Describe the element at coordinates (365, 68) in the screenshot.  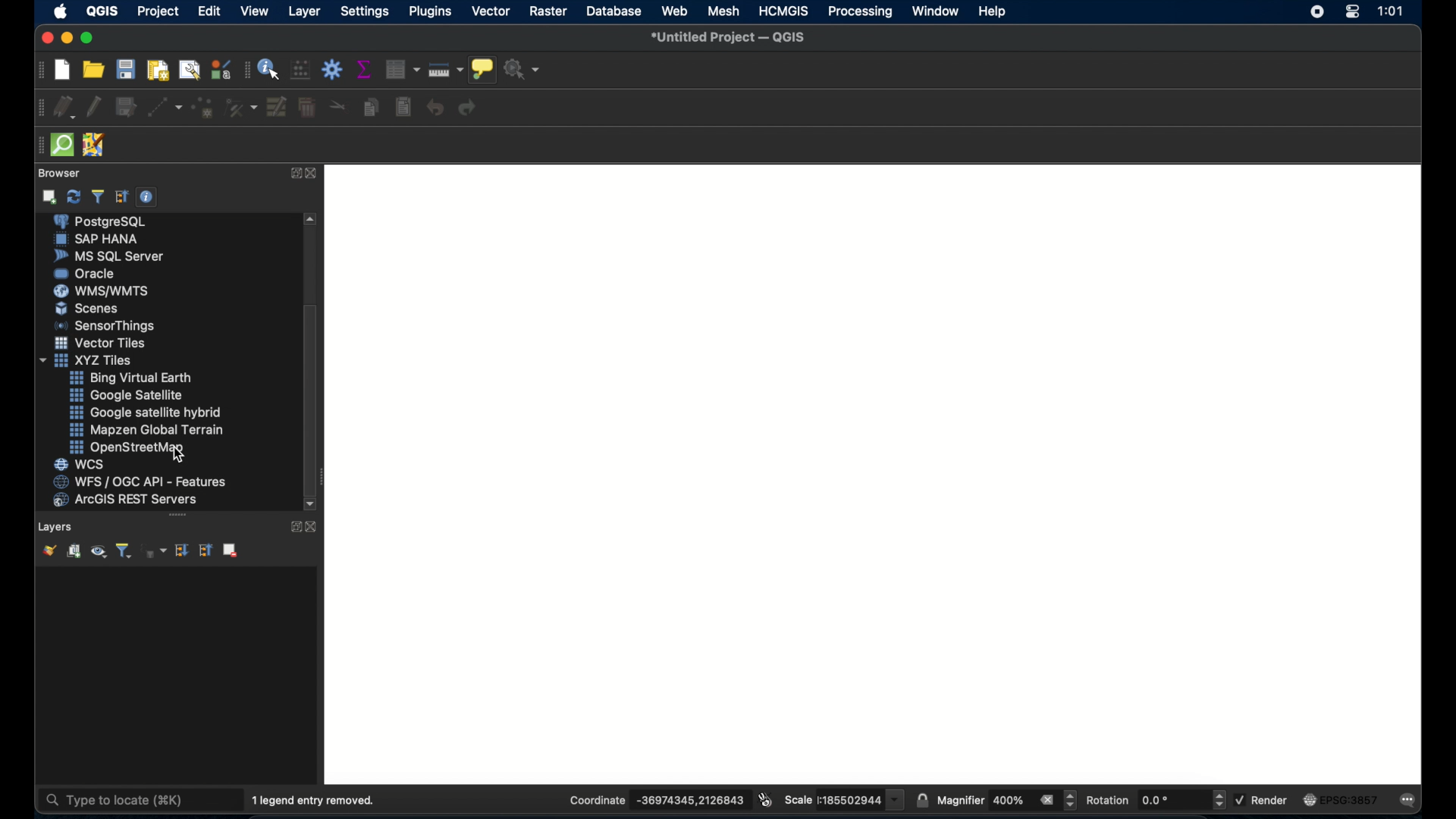
I see `show statistical summary` at that location.